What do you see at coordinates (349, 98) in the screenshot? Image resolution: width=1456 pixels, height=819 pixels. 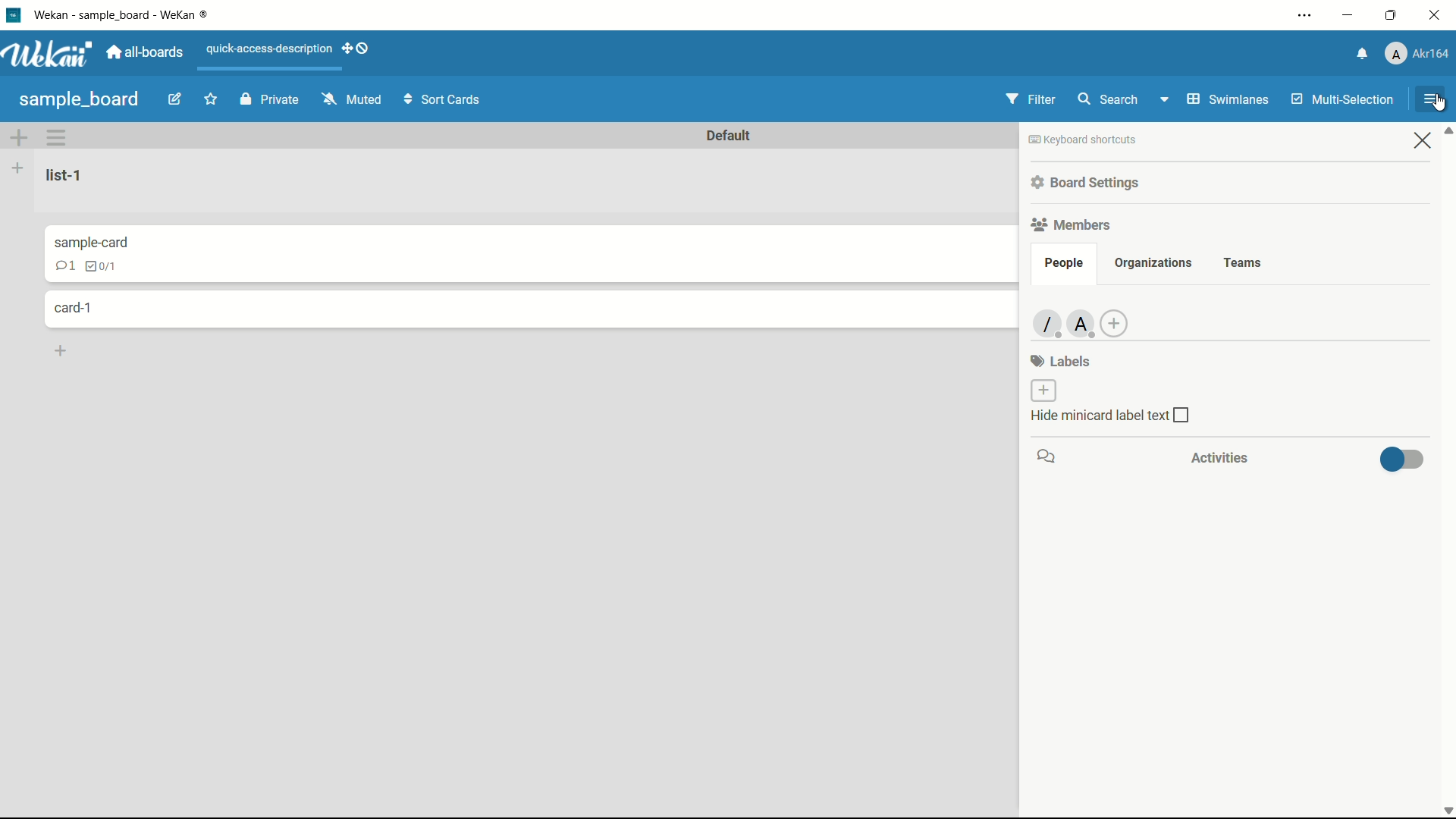 I see `mute` at bounding box center [349, 98].